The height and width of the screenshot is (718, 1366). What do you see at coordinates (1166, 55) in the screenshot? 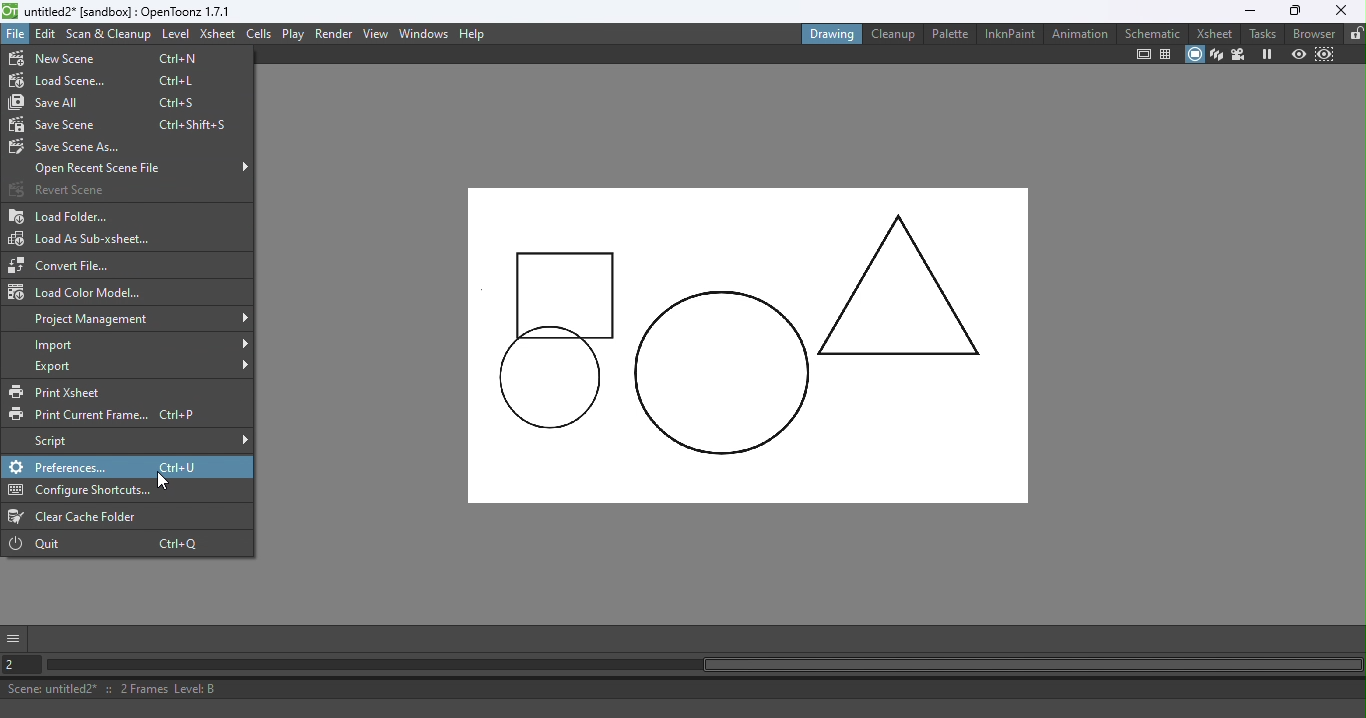
I see `Field guide` at bounding box center [1166, 55].